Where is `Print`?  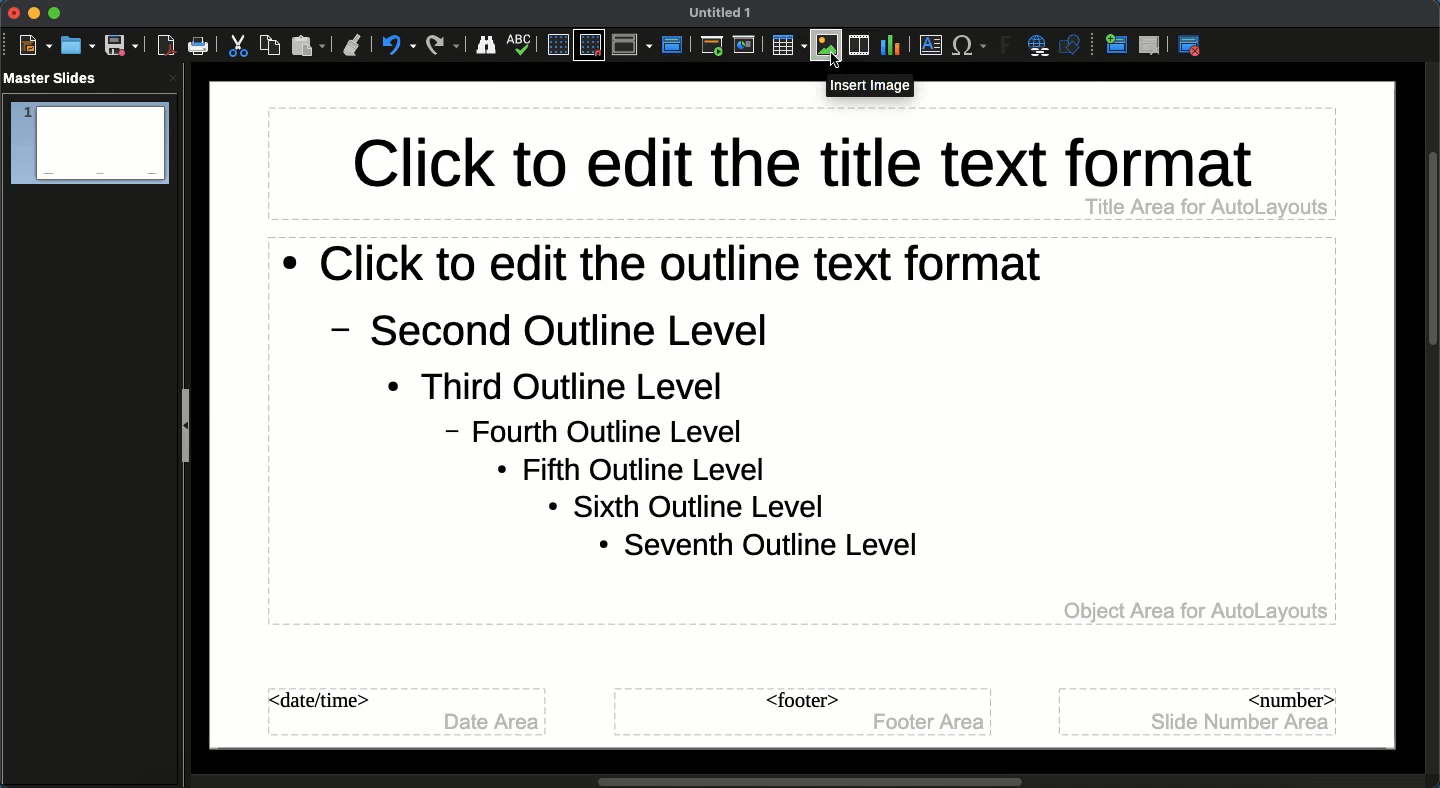
Print is located at coordinates (199, 46).